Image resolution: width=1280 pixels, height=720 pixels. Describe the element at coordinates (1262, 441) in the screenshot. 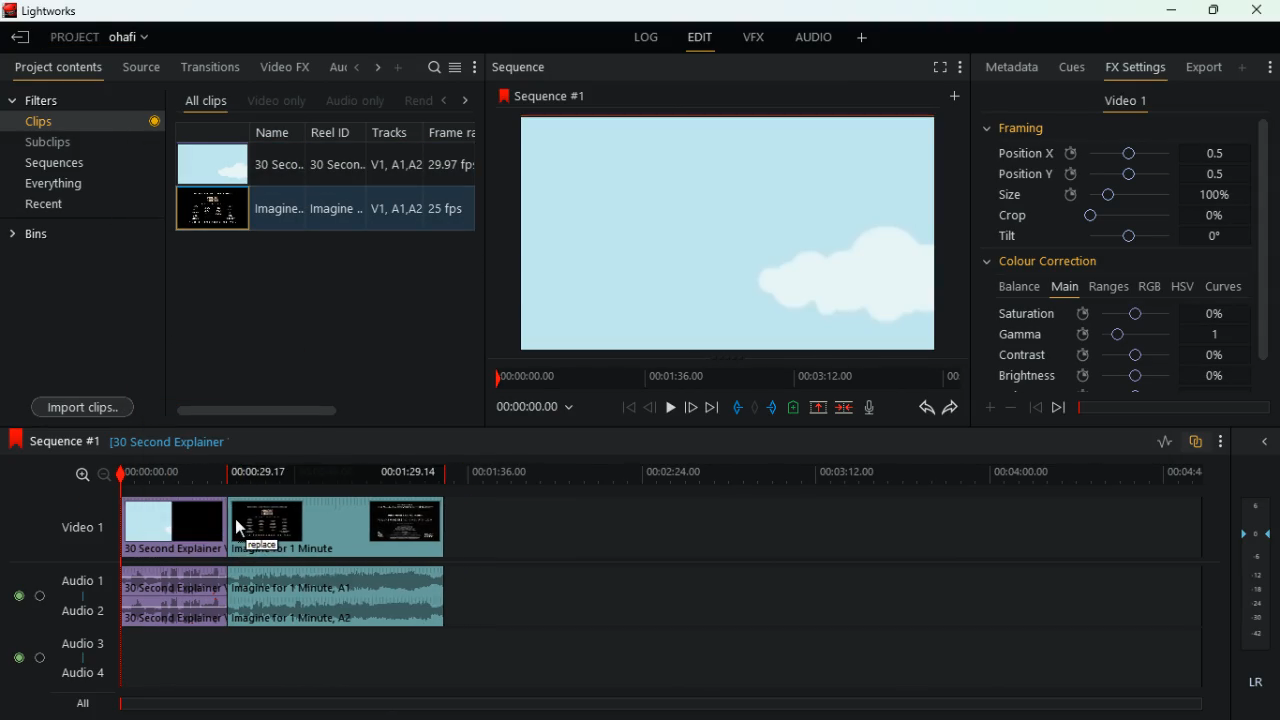

I see `back` at that location.